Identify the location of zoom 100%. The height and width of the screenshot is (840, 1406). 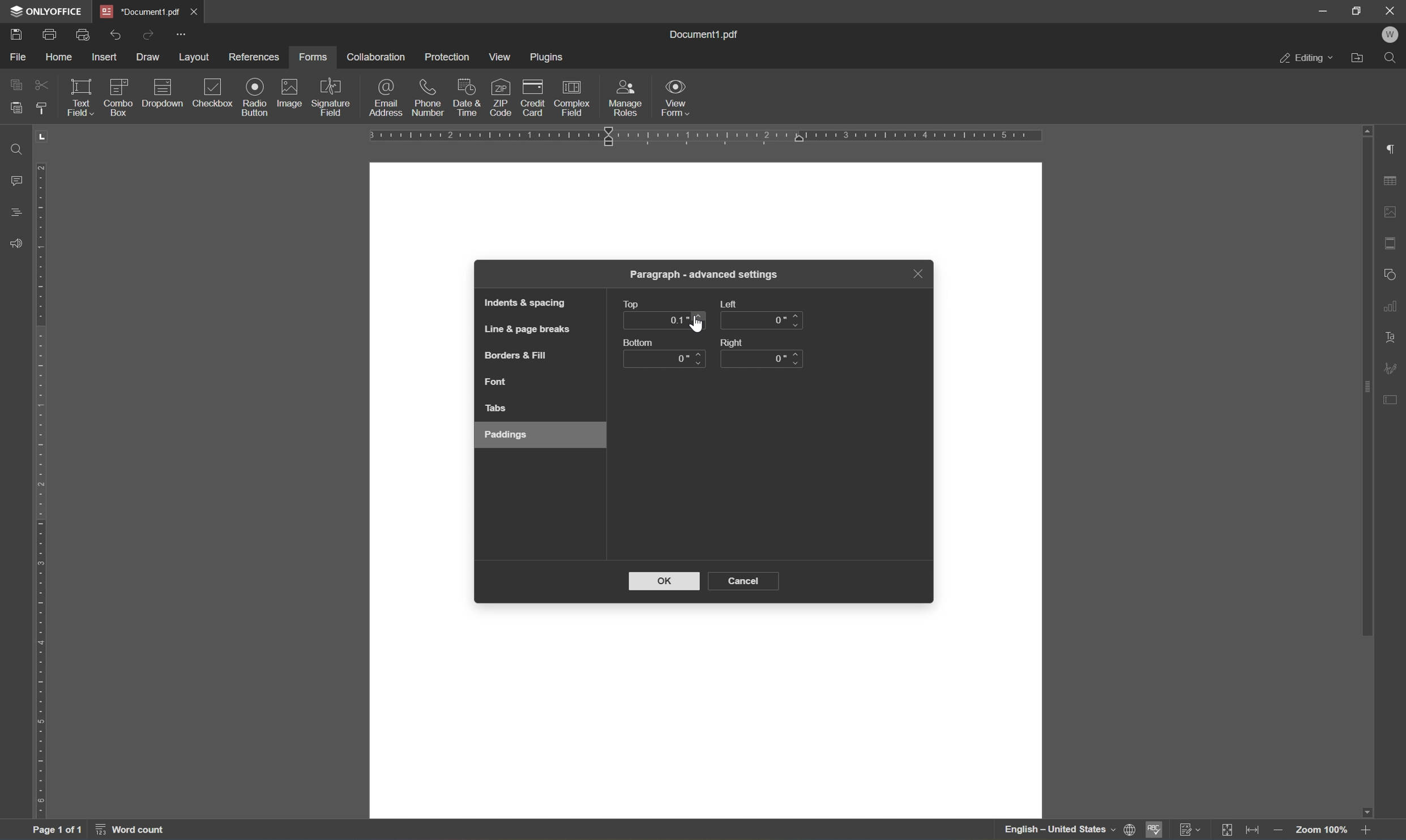
(1322, 832).